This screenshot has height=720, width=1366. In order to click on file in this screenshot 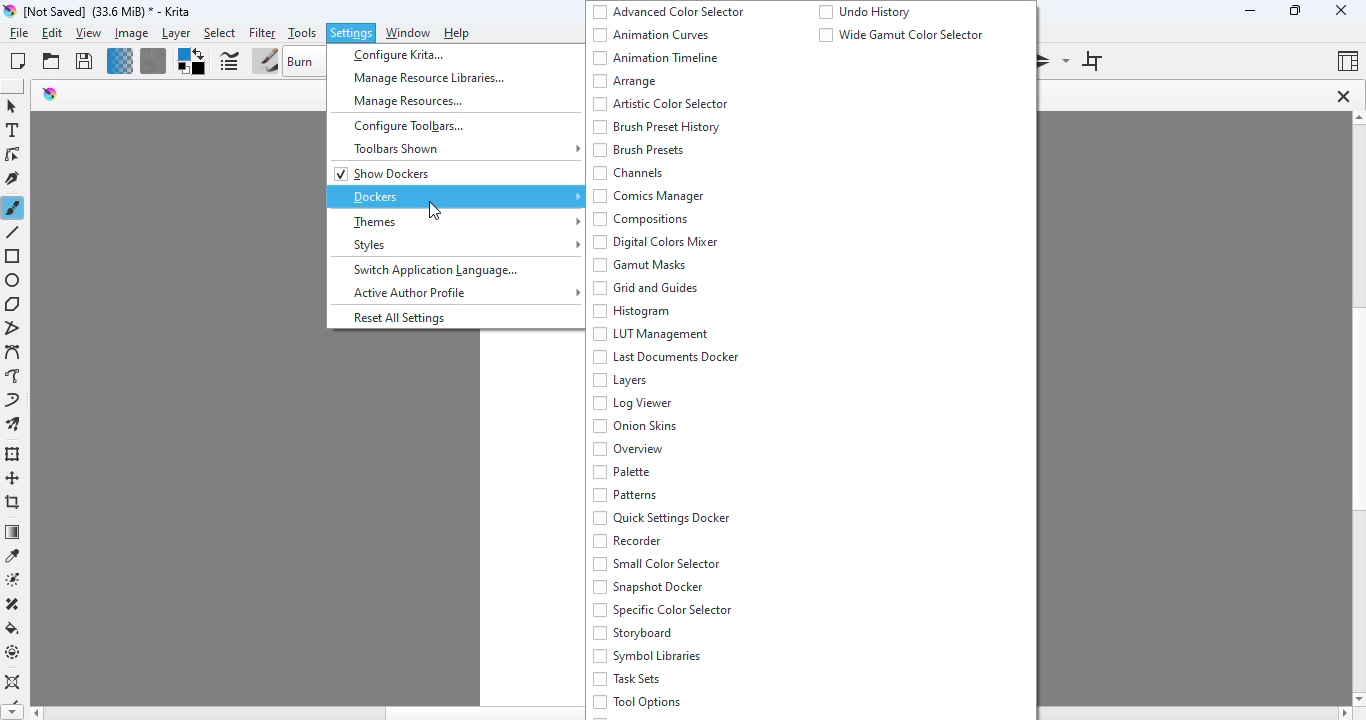, I will do `click(19, 33)`.